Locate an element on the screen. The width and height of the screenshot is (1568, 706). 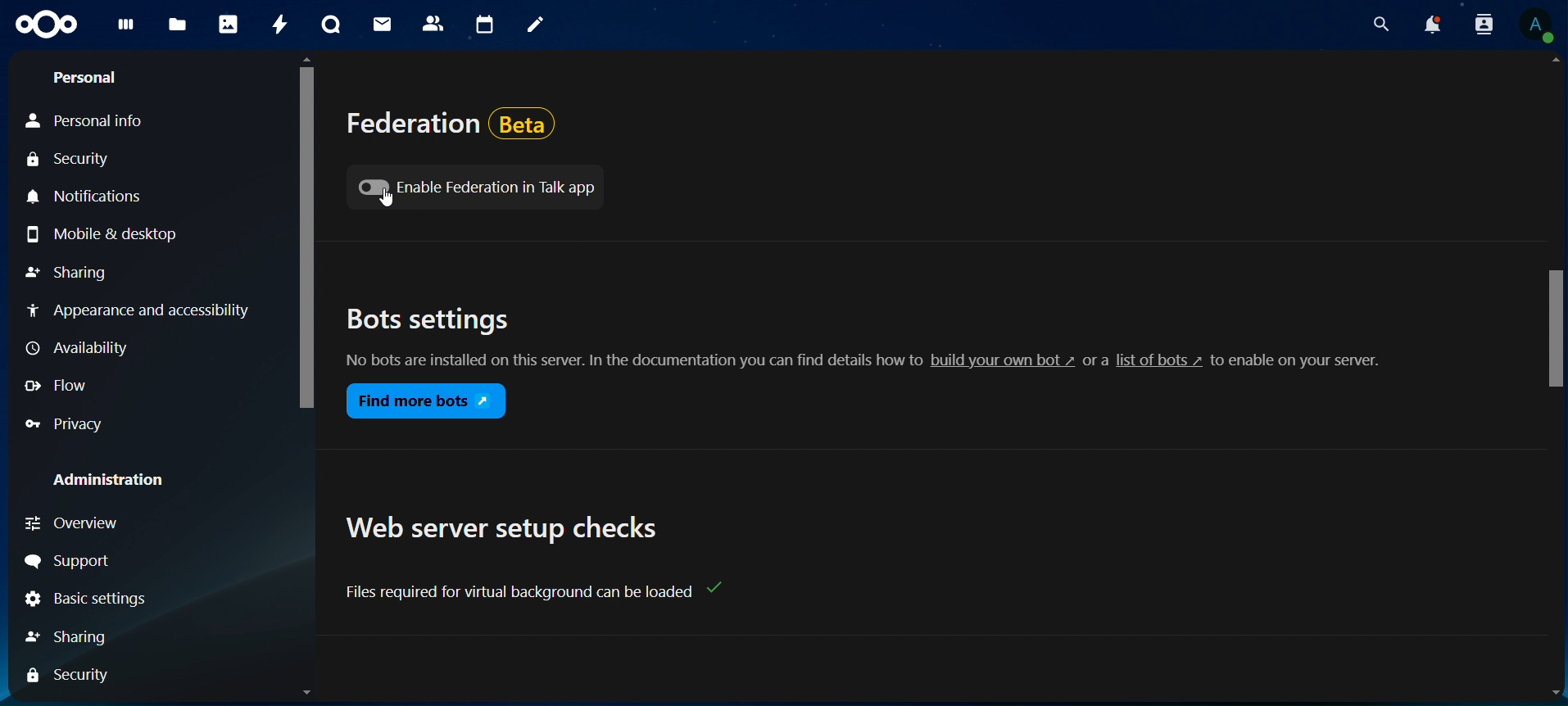
search is located at coordinates (1381, 25).